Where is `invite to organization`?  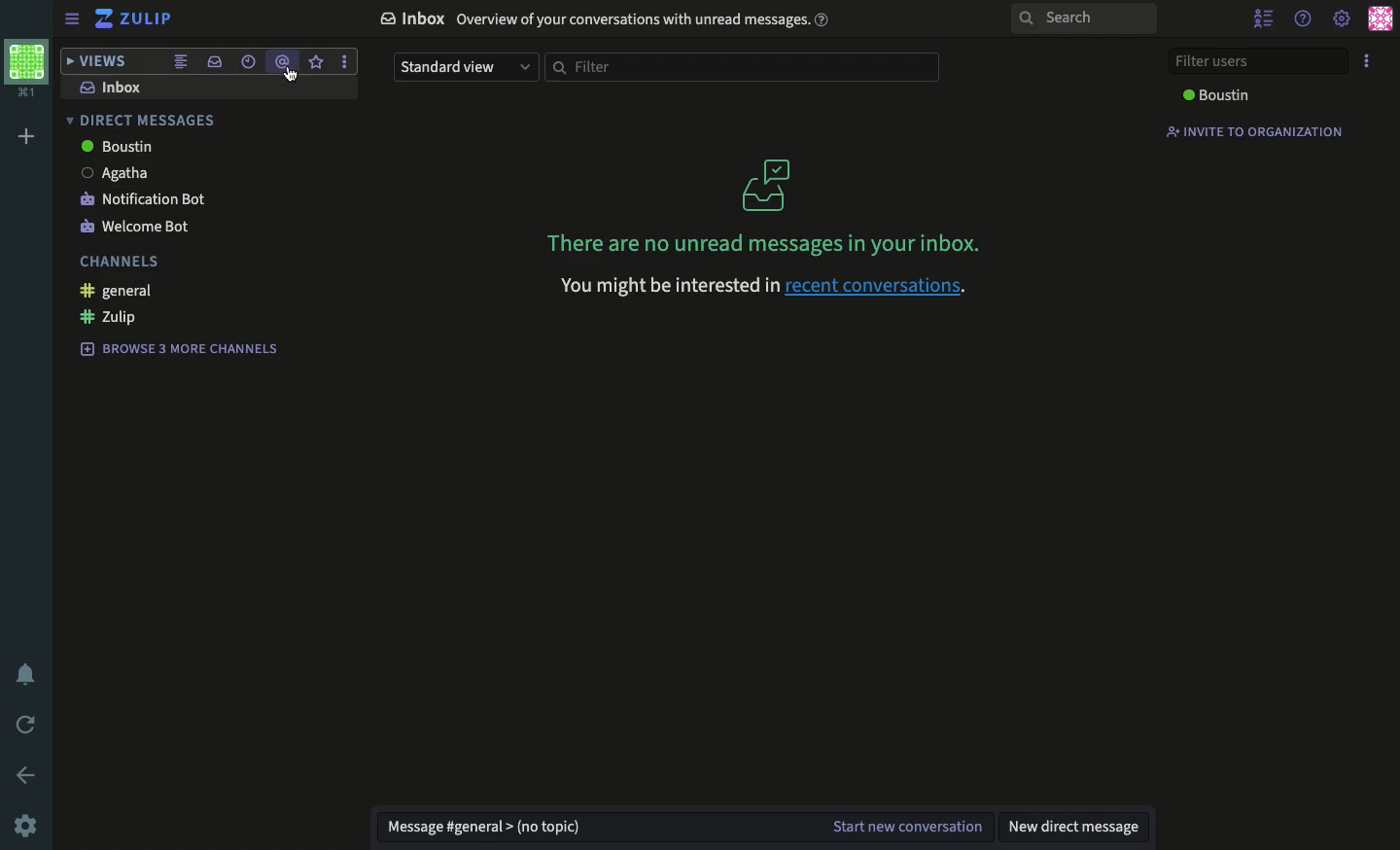 invite to organization is located at coordinates (1251, 133).